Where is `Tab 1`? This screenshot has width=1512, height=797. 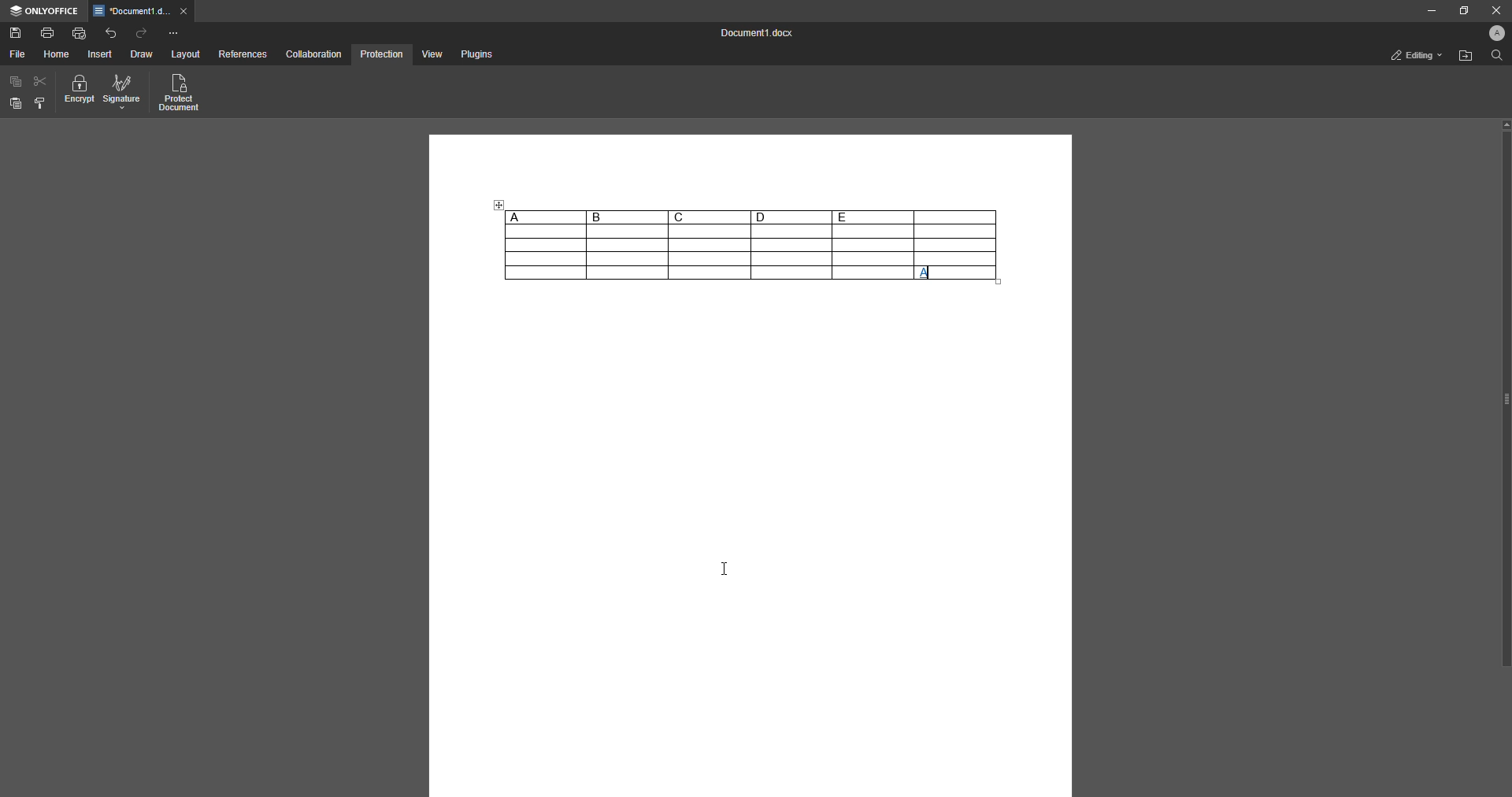
Tab 1 is located at coordinates (143, 12).